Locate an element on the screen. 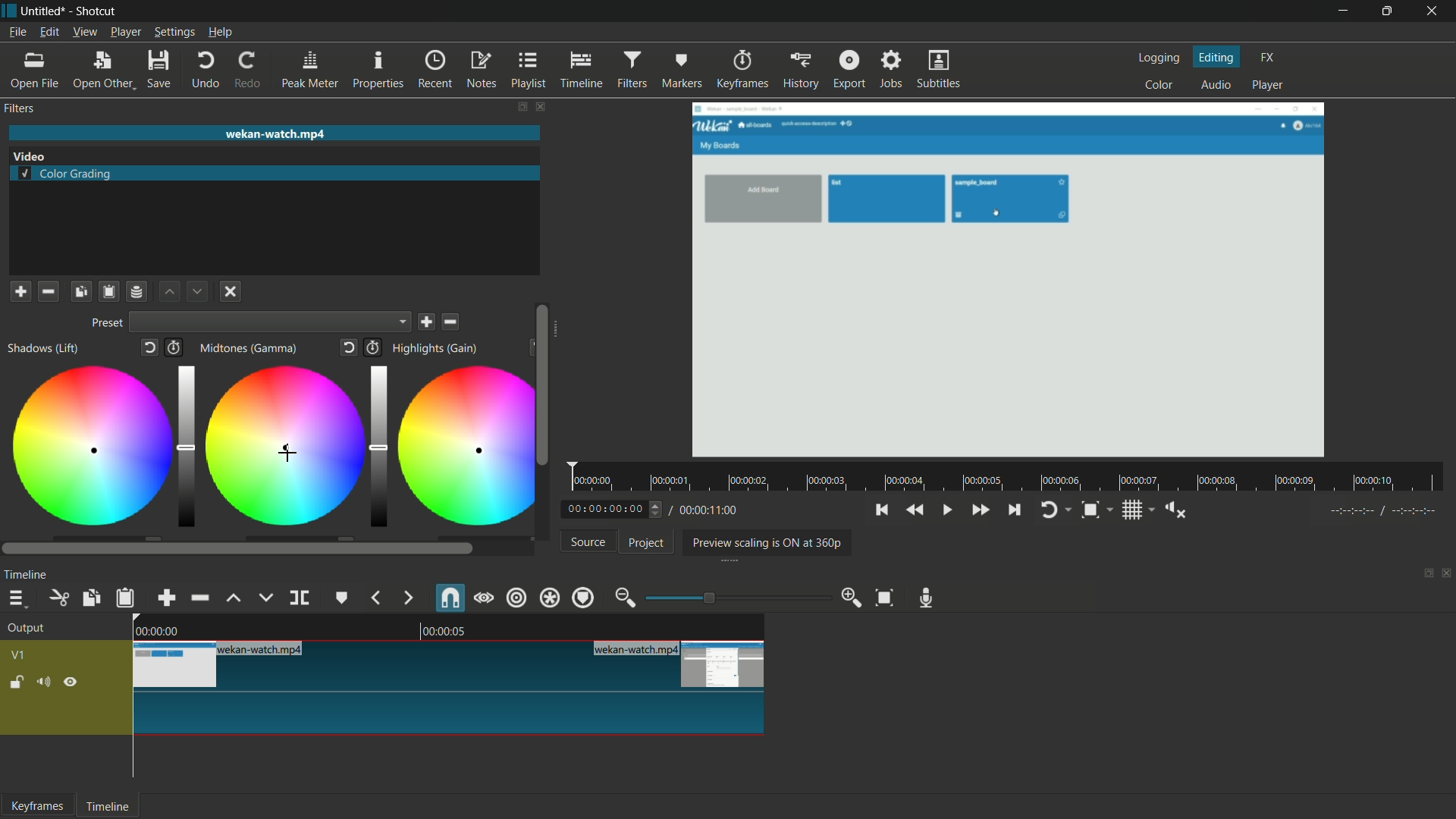  scroll bar is located at coordinates (541, 384).